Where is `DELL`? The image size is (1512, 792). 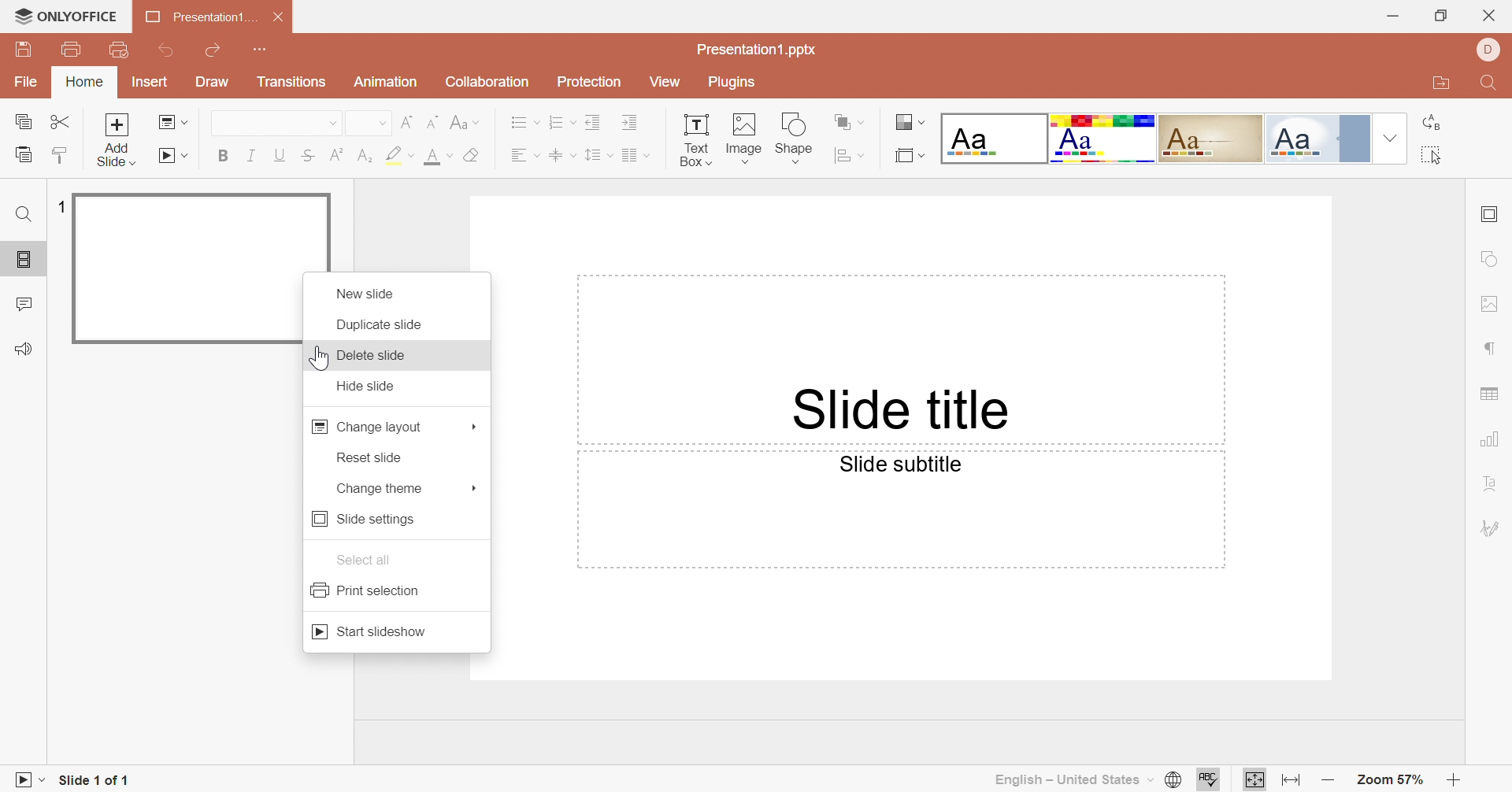
DELL is located at coordinates (1487, 50).